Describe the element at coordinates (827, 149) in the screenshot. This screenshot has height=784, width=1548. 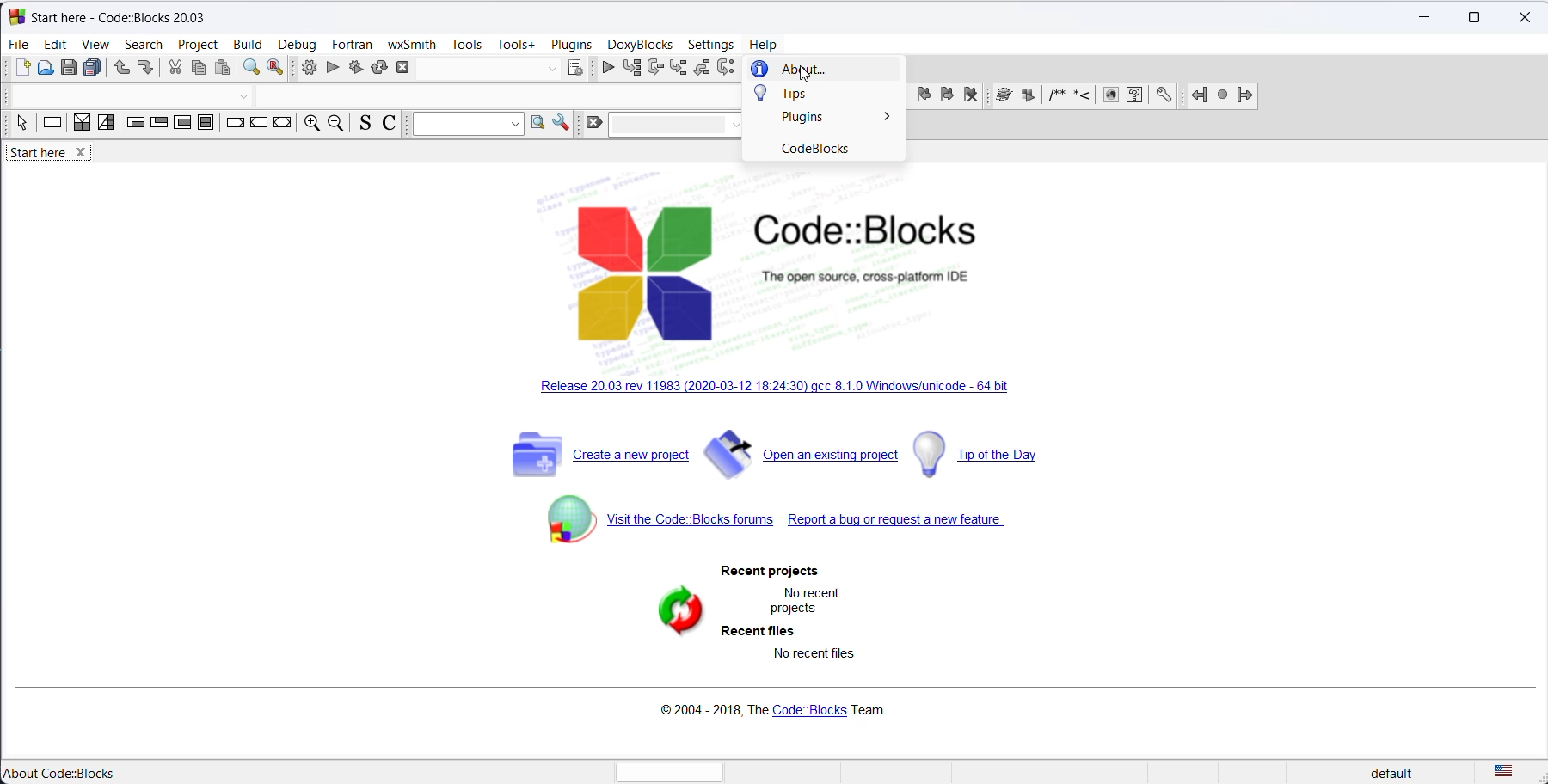
I see `codeblocks` at that location.